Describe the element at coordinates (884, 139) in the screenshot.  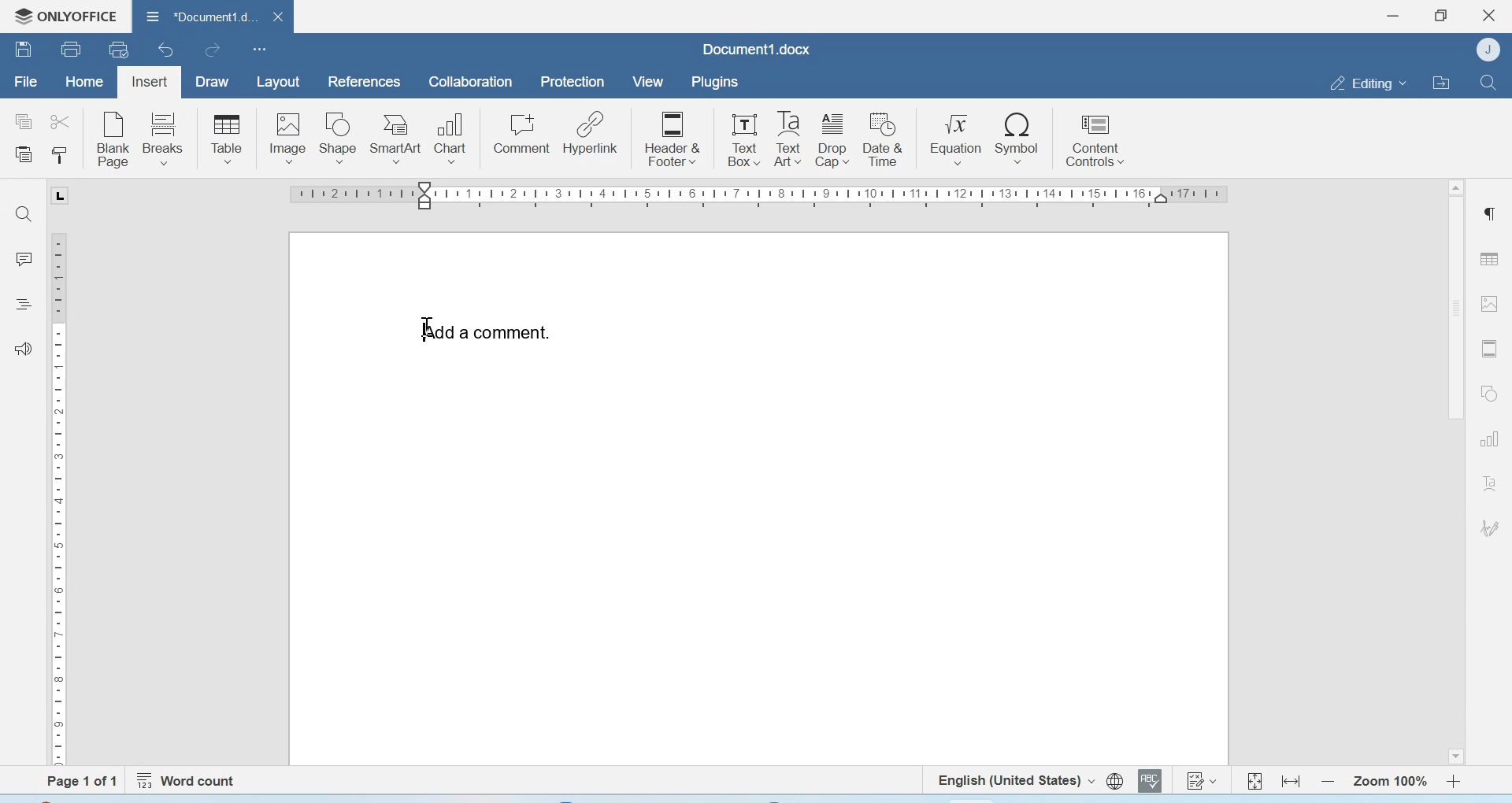
I see `Date & Time` at that location.